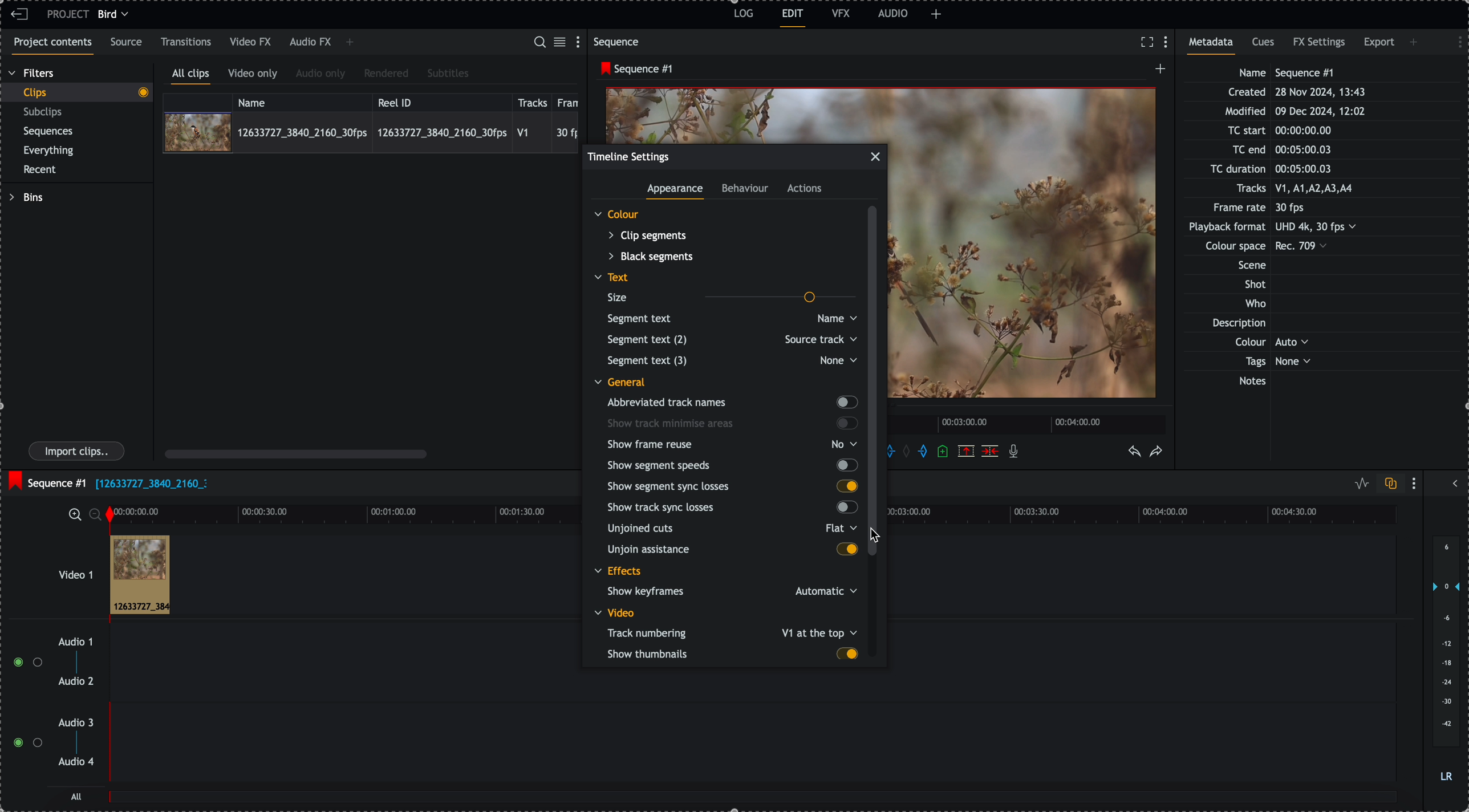 The height and width of the screenshot is (812, 1469). I want to click on abbreviated track names, so click(731, 403).